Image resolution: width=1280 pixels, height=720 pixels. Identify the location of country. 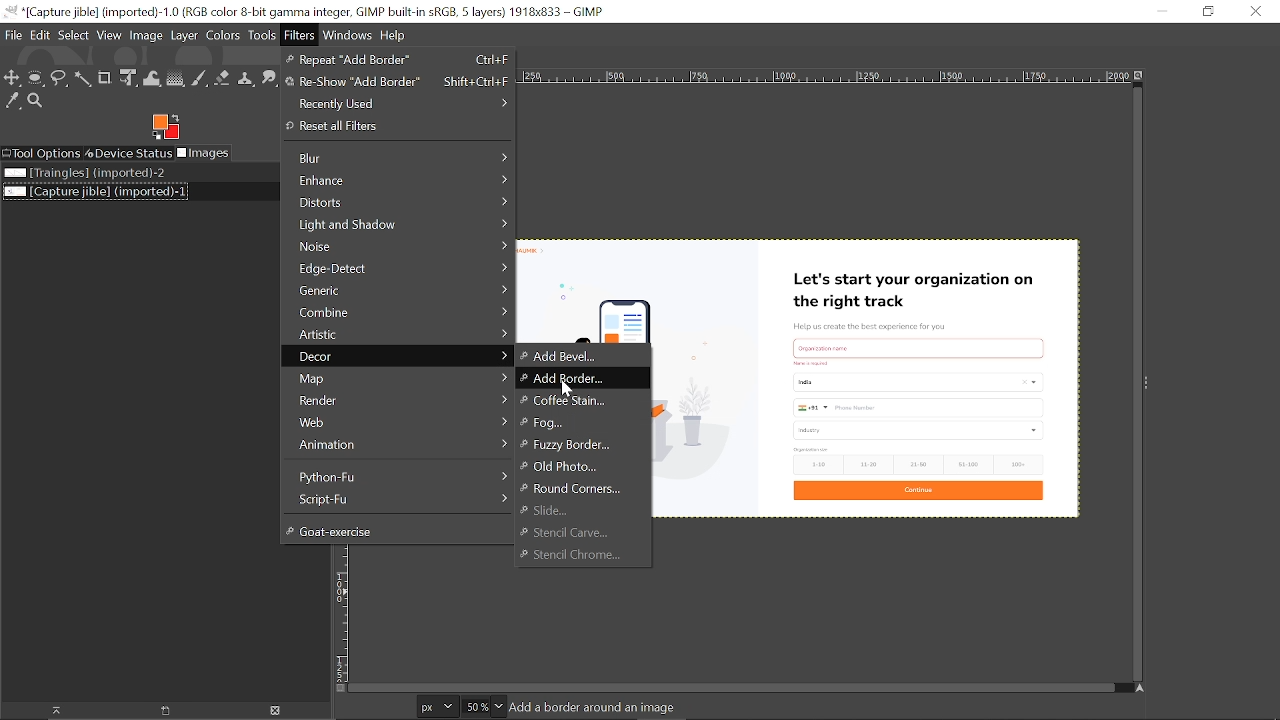
(918, 381).